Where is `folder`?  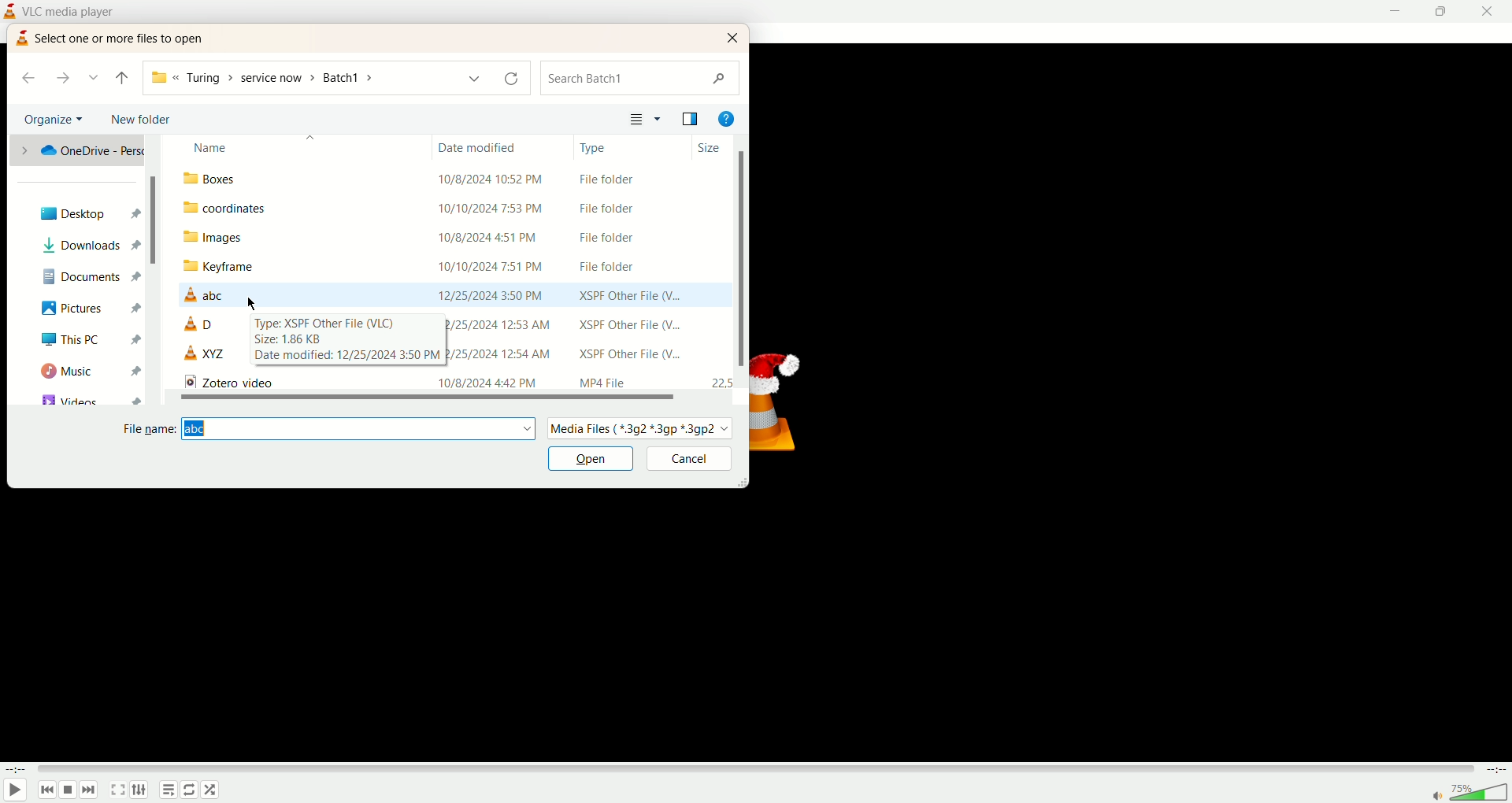 folder is located at coordinates (453, 207).